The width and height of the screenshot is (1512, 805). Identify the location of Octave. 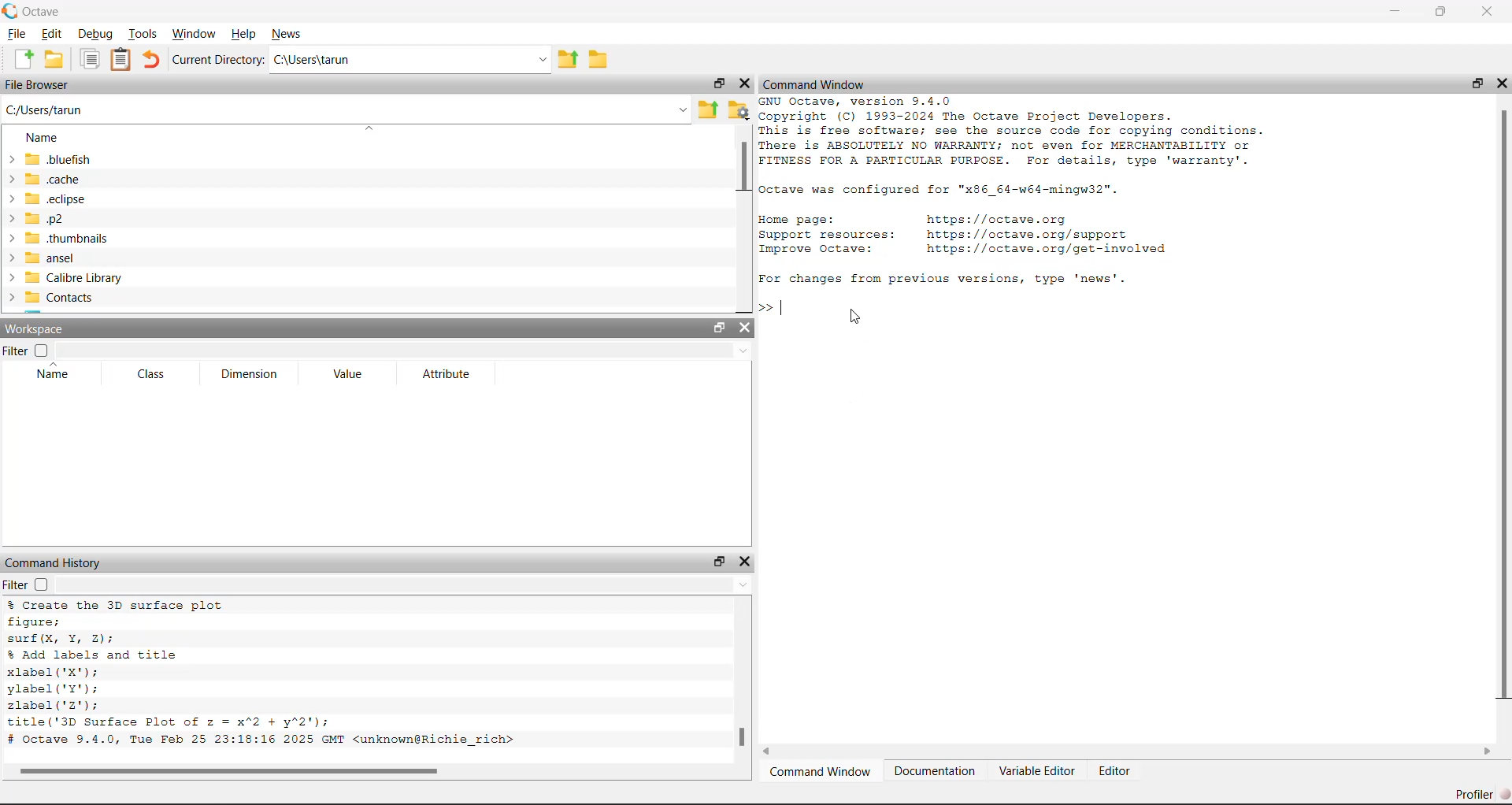
(33, 12).